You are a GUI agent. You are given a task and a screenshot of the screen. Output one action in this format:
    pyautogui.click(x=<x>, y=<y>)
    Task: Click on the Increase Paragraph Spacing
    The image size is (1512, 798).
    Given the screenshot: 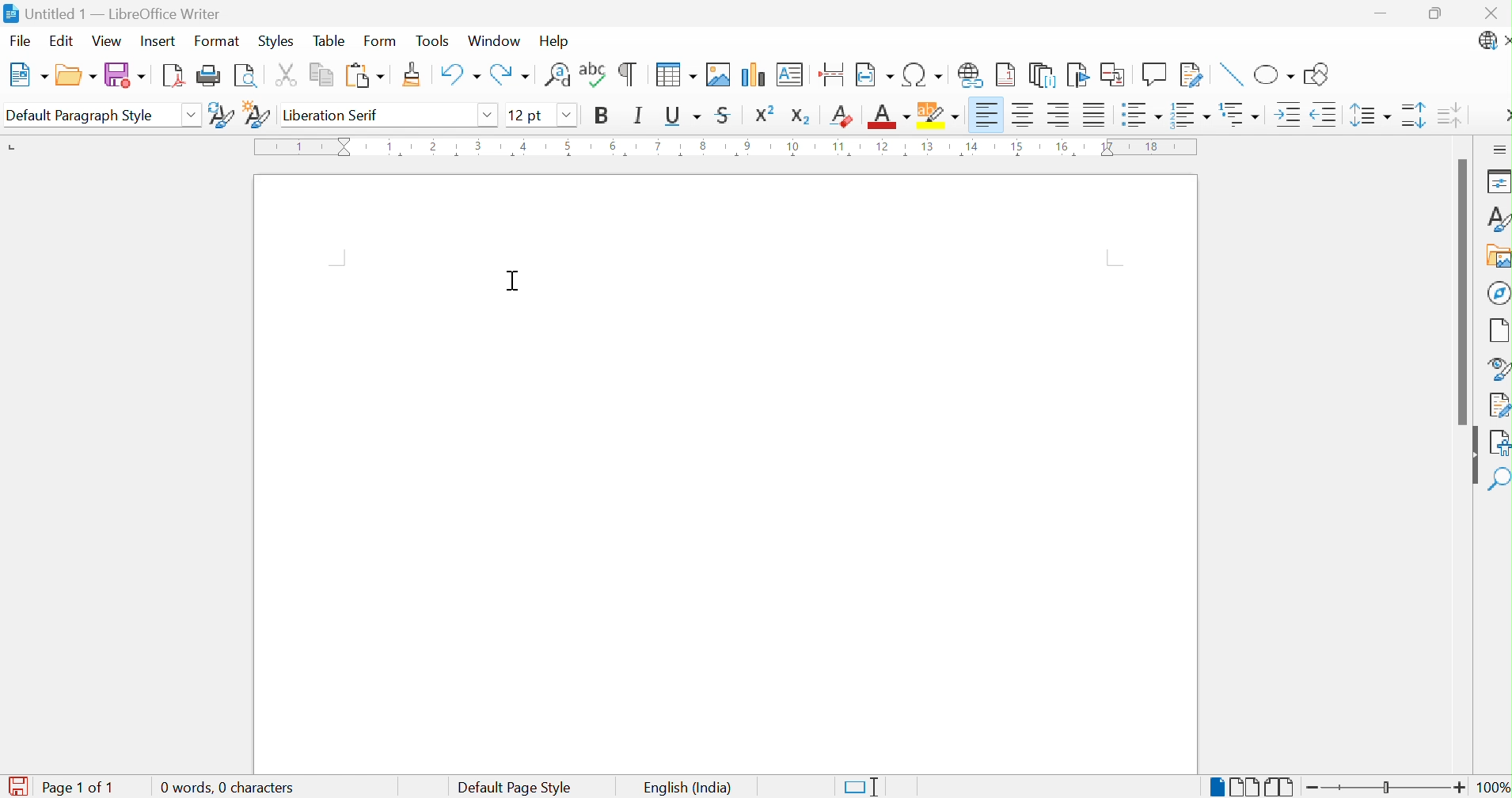 What is the action you would take?
    pyautogui.click(x=1413, y=118)
    